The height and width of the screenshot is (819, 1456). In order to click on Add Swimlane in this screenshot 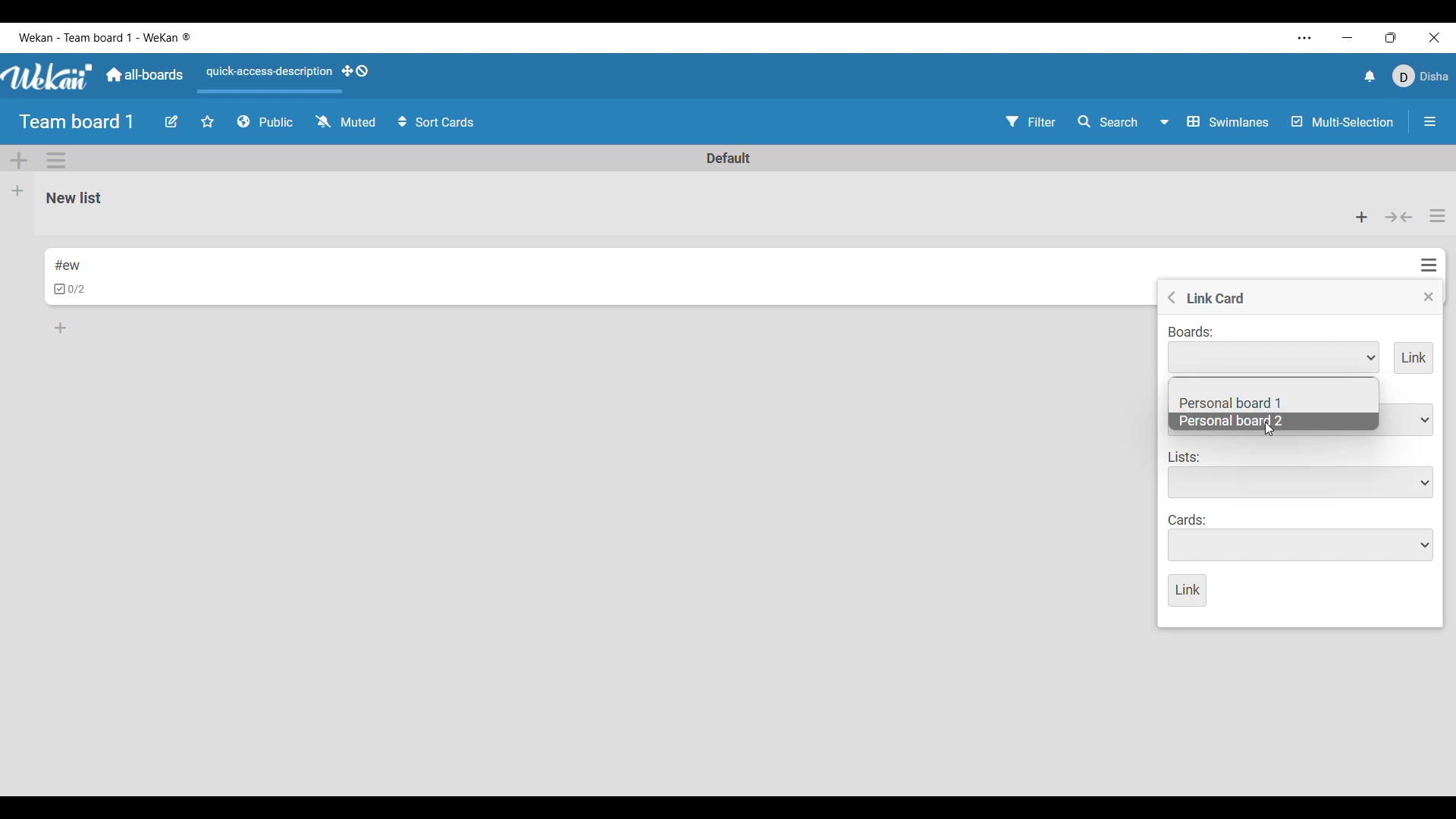, I will do `click(20, 161)`.